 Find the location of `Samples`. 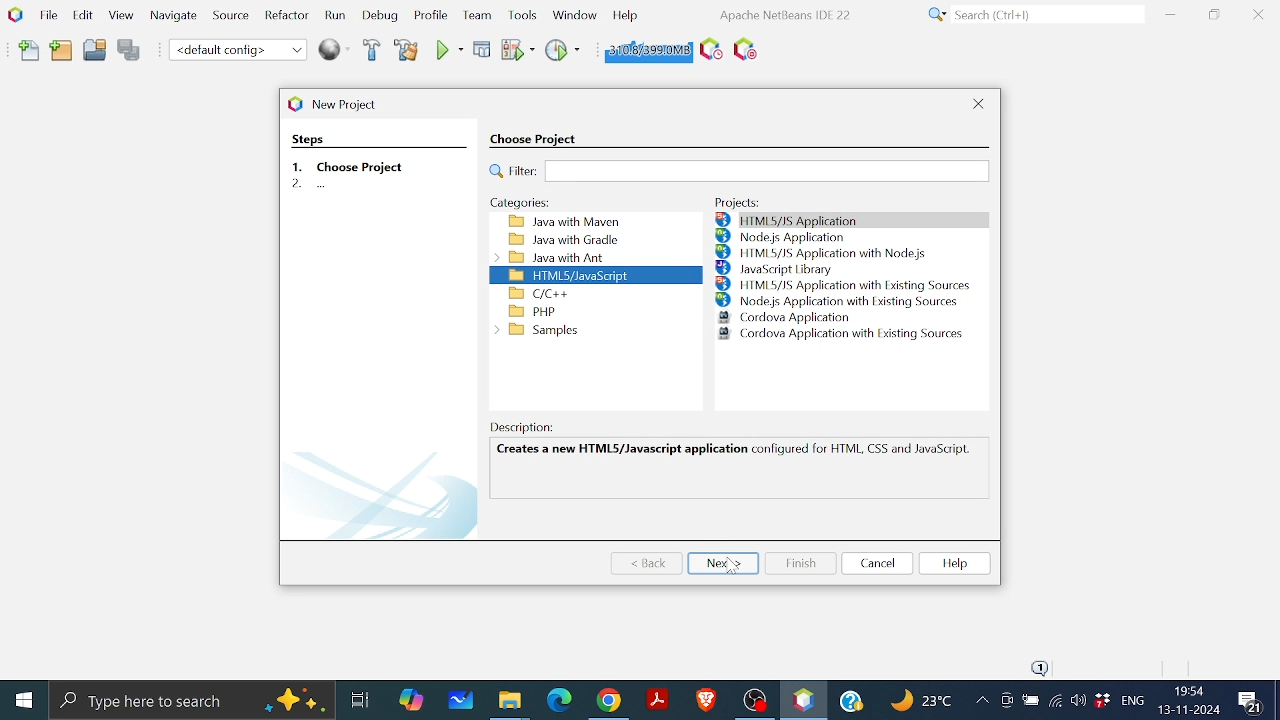

Samples is located at coordinates (545, 330).